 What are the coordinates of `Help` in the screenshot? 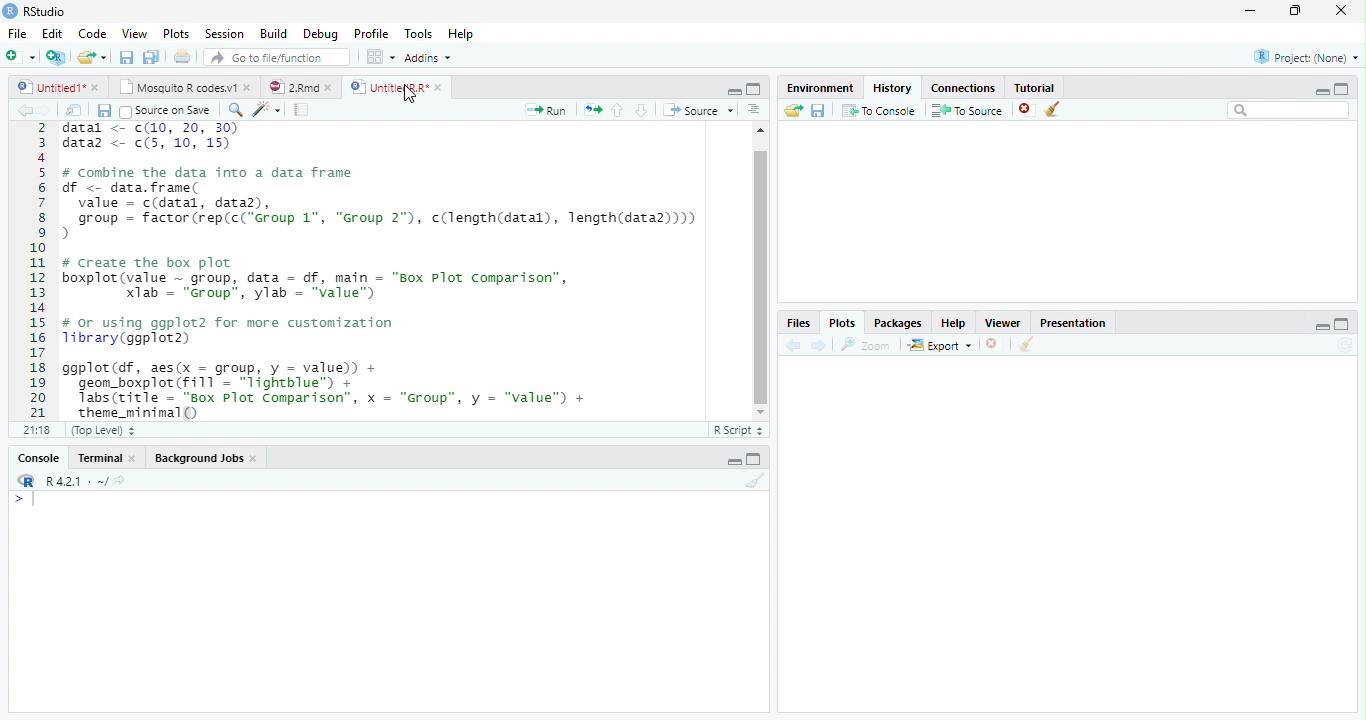 It's located at (461, 33).